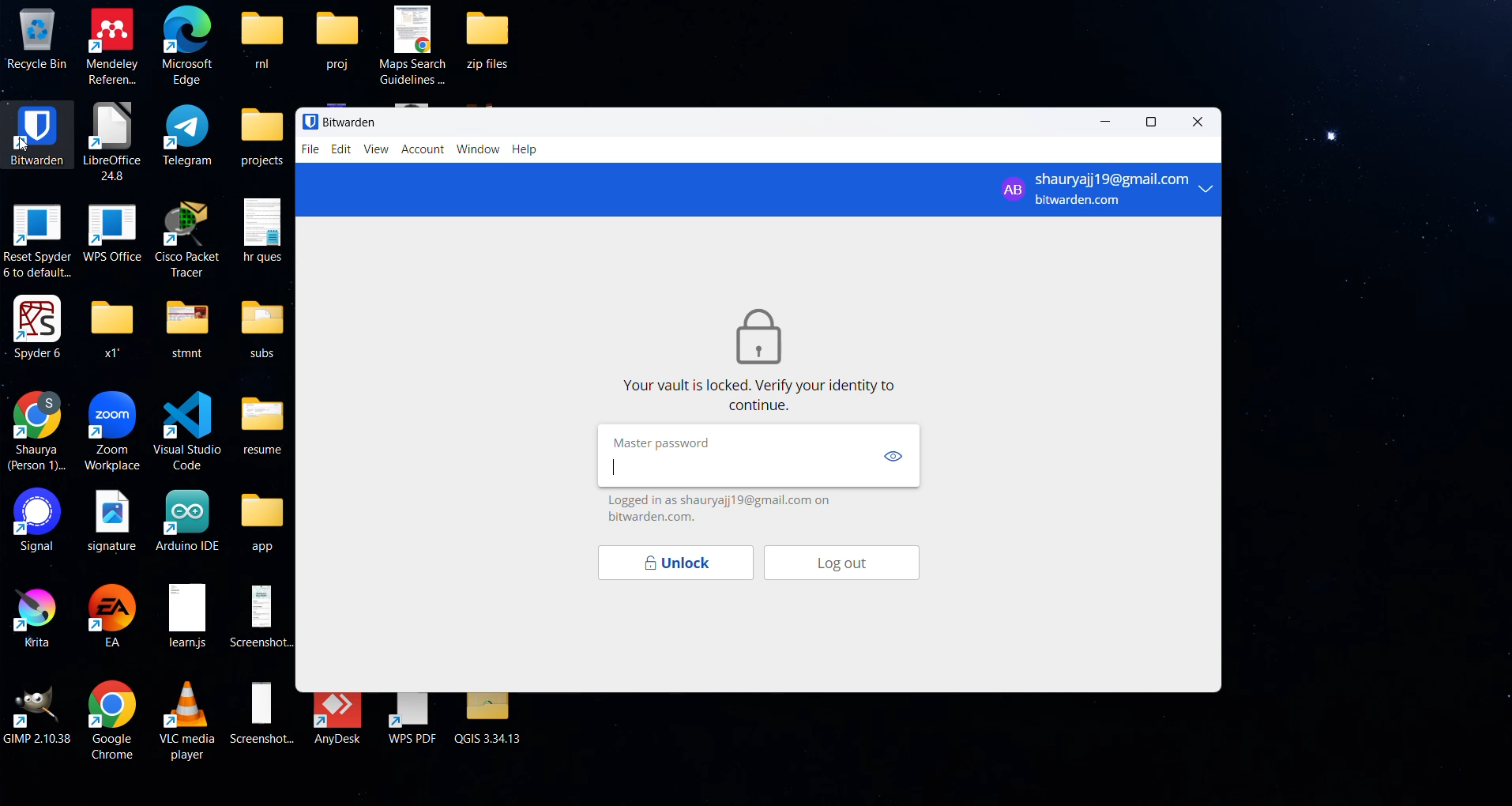 The height and width of the screenshot is (806, 1512). I want to click on Visual Studio code, so click(186, 427).